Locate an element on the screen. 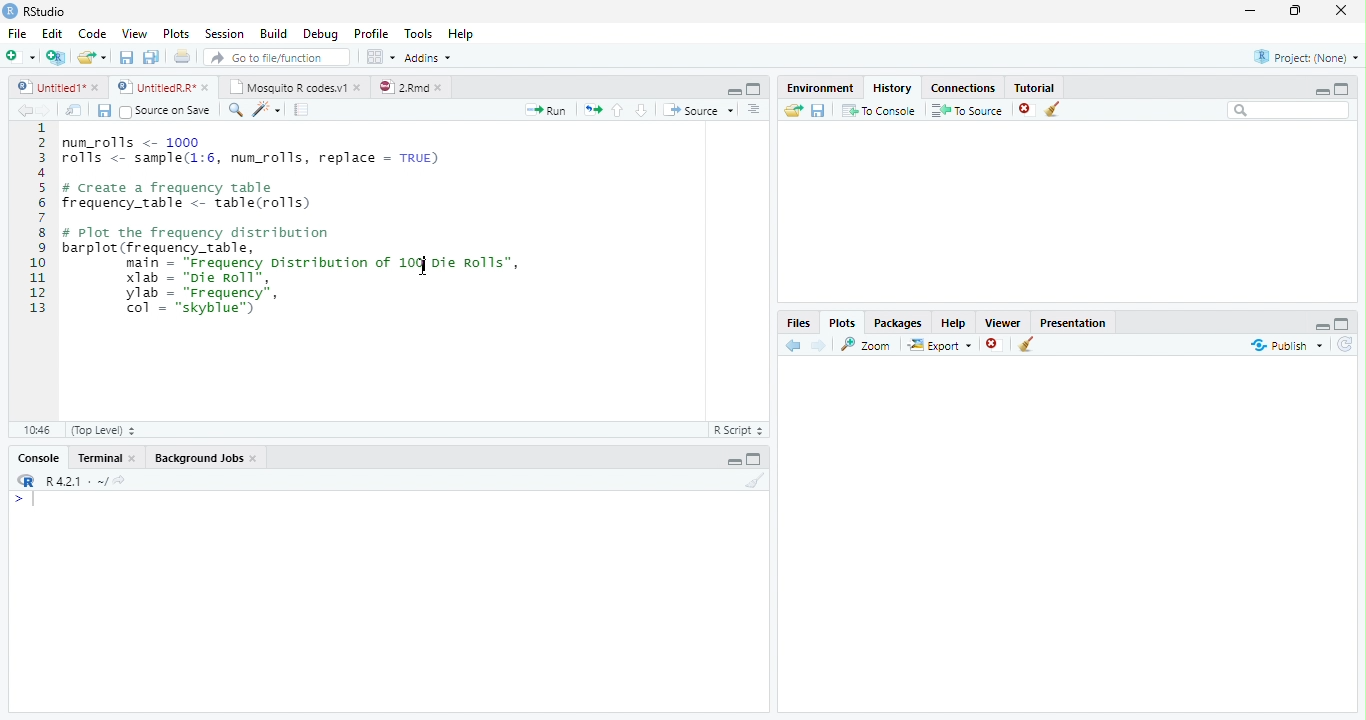  Go to next section of code is located at coordinates (642, 110).